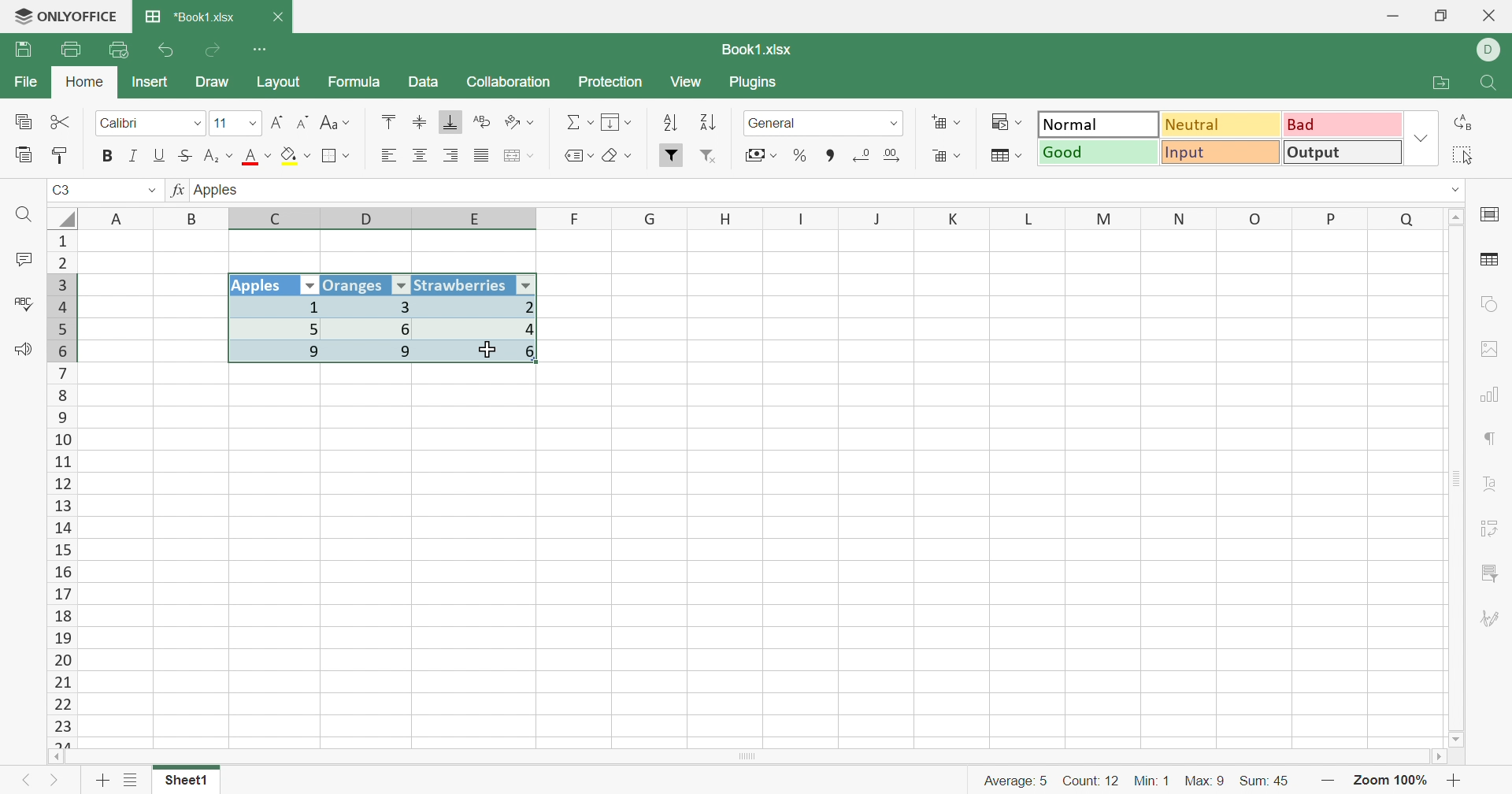 This screenshot has width=1512, height=794. Describe the element at coordinates (519, 156) in the screenshot. I see `Insert columns` at that location.